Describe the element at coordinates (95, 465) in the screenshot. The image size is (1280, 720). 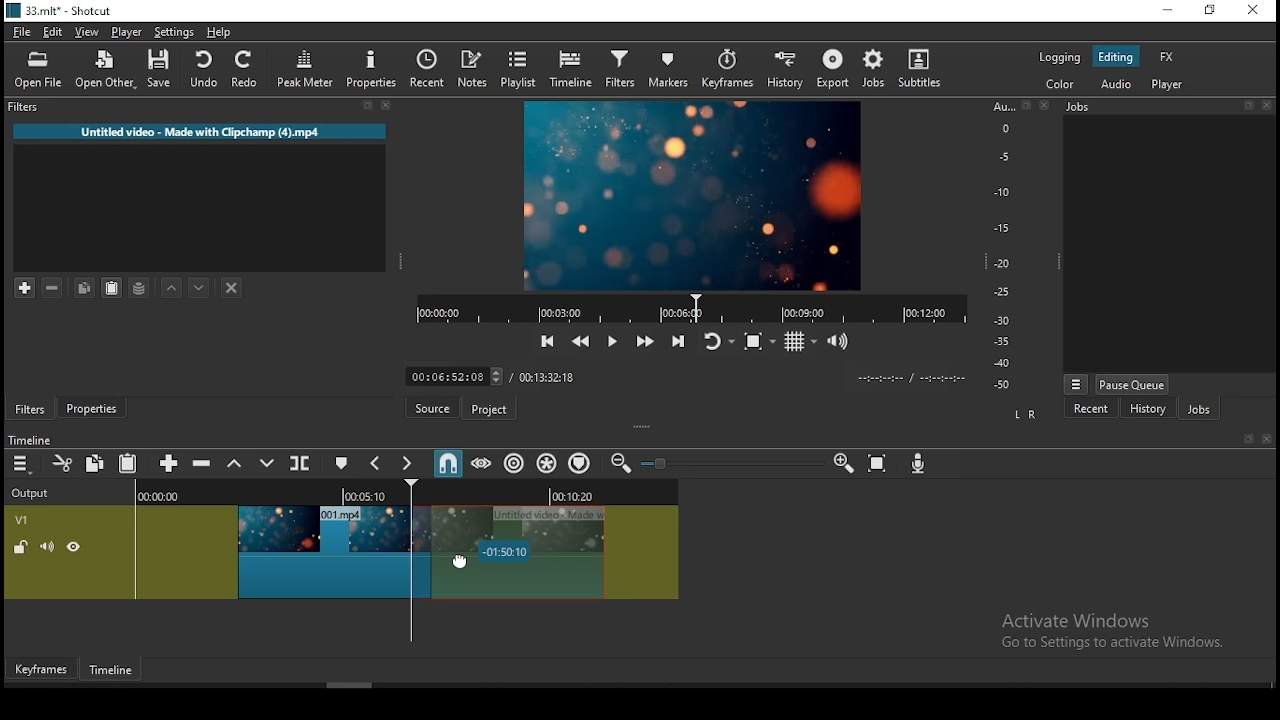
I see `copy` at that location.